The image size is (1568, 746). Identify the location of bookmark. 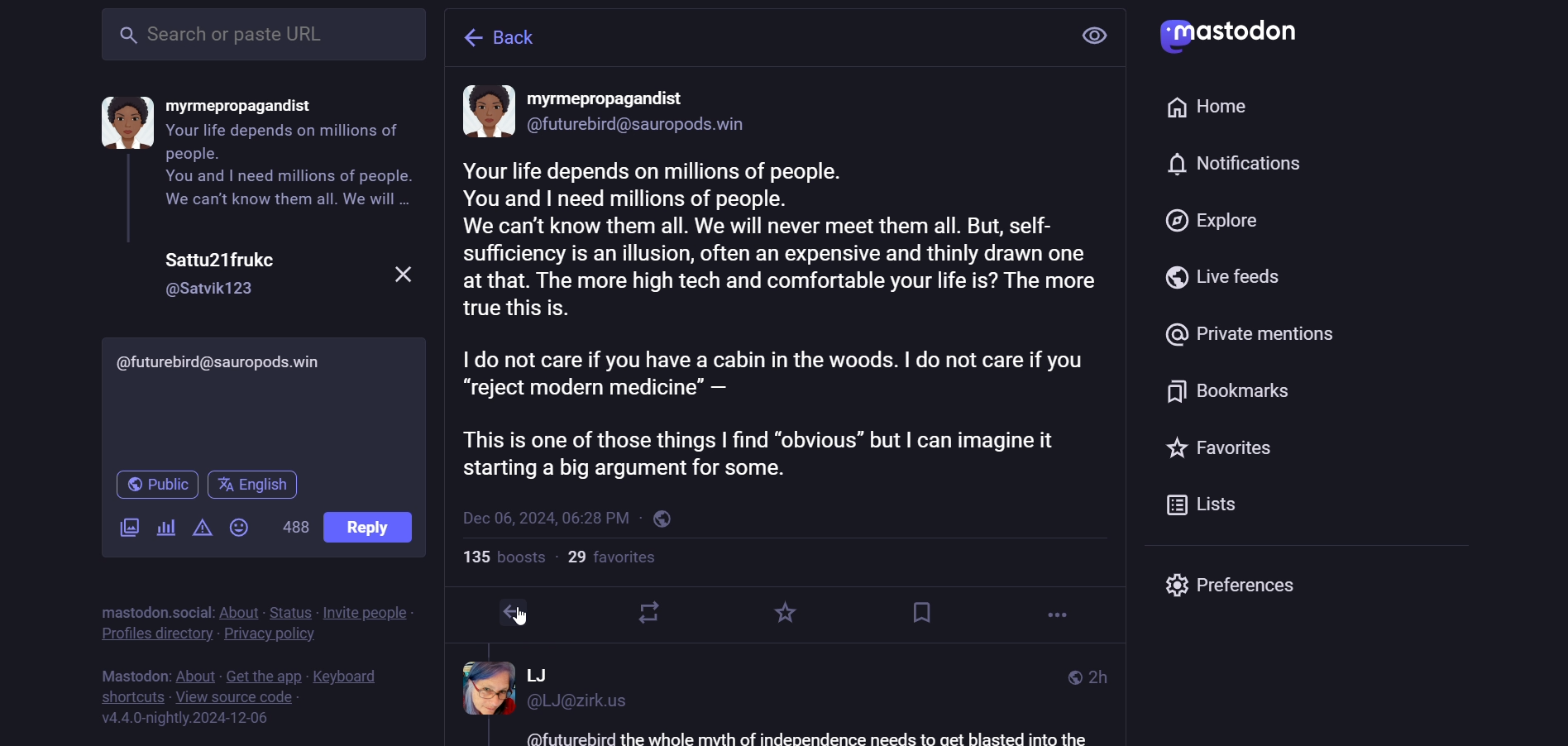
(917, 610).